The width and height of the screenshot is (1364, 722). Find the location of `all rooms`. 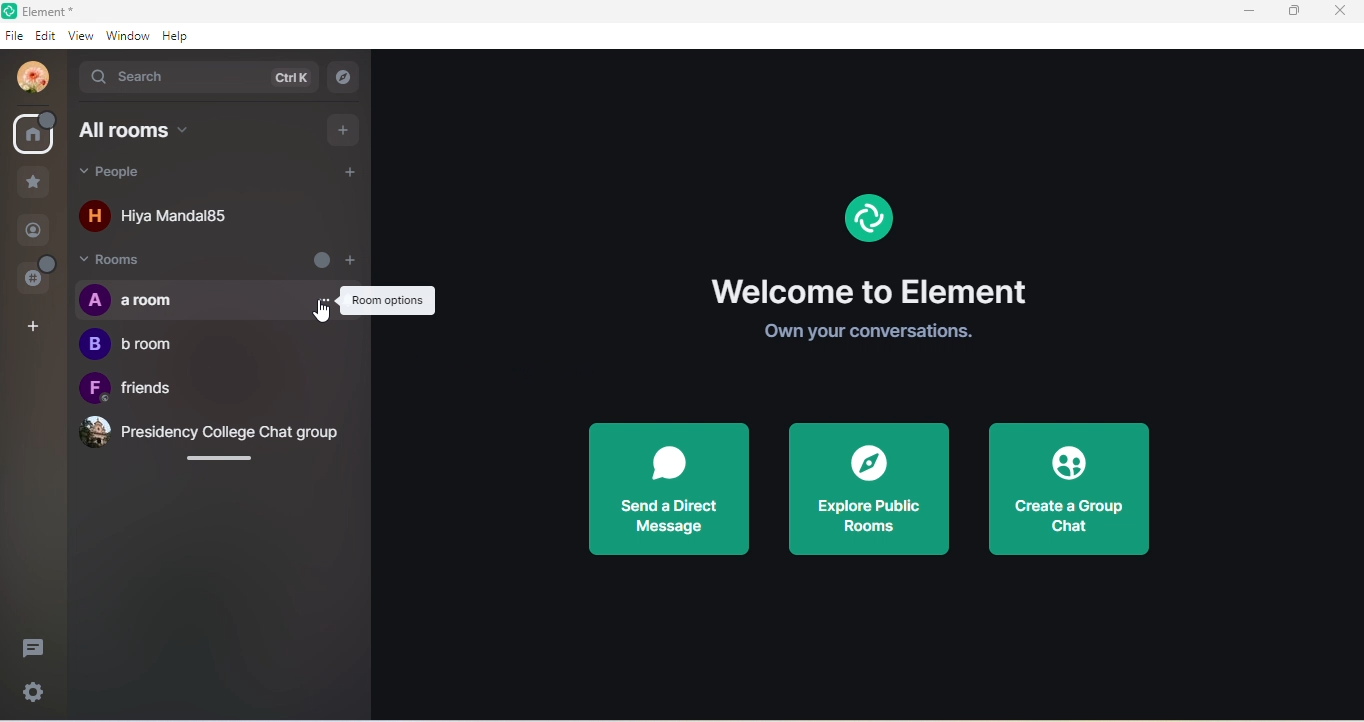

all rooms is located at coordinates (147, 132).